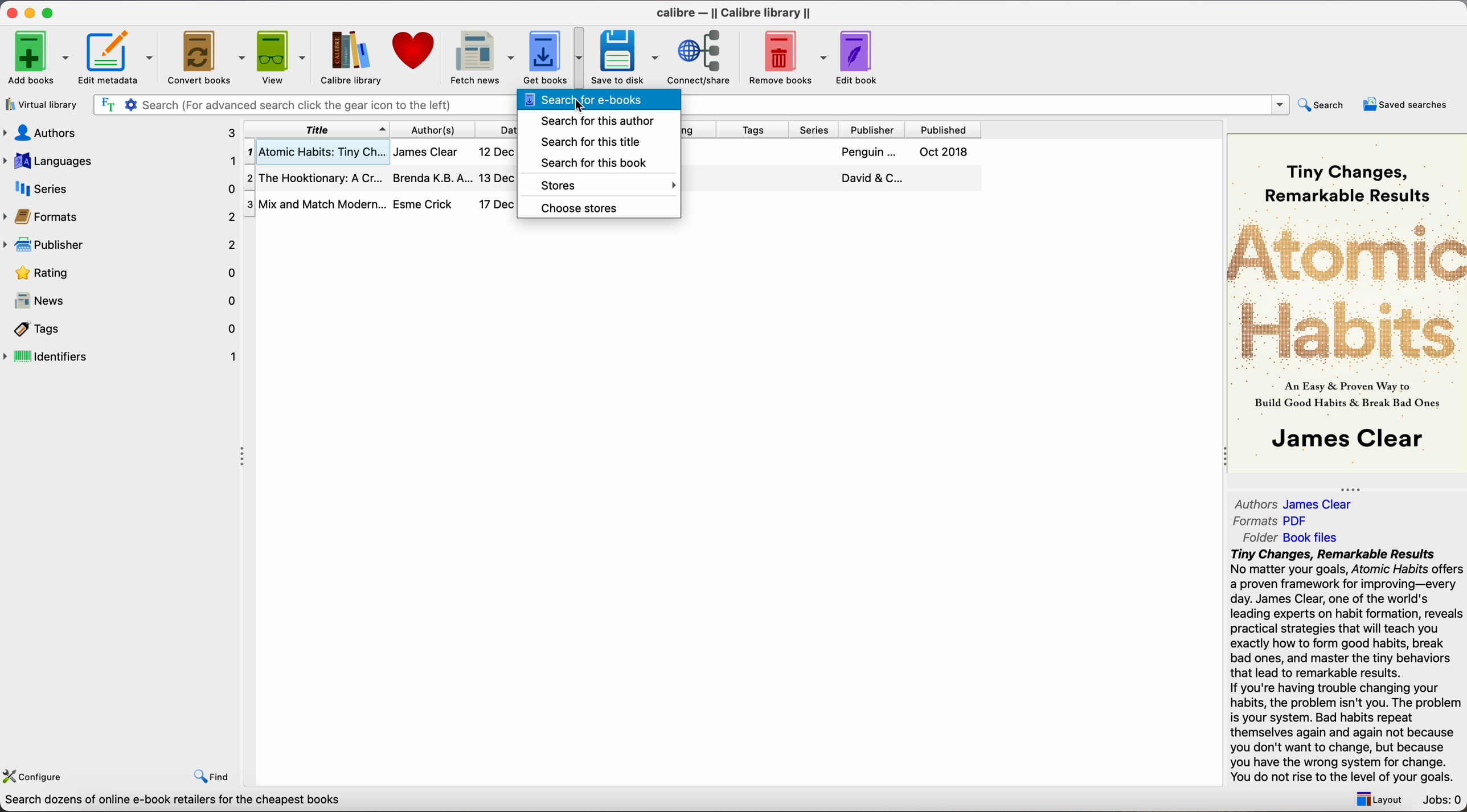 The height and width of the screenshot is (812, 1467). Describe the element at coordinates (876, 130) in the screenshot. I see `publisher` at that location.